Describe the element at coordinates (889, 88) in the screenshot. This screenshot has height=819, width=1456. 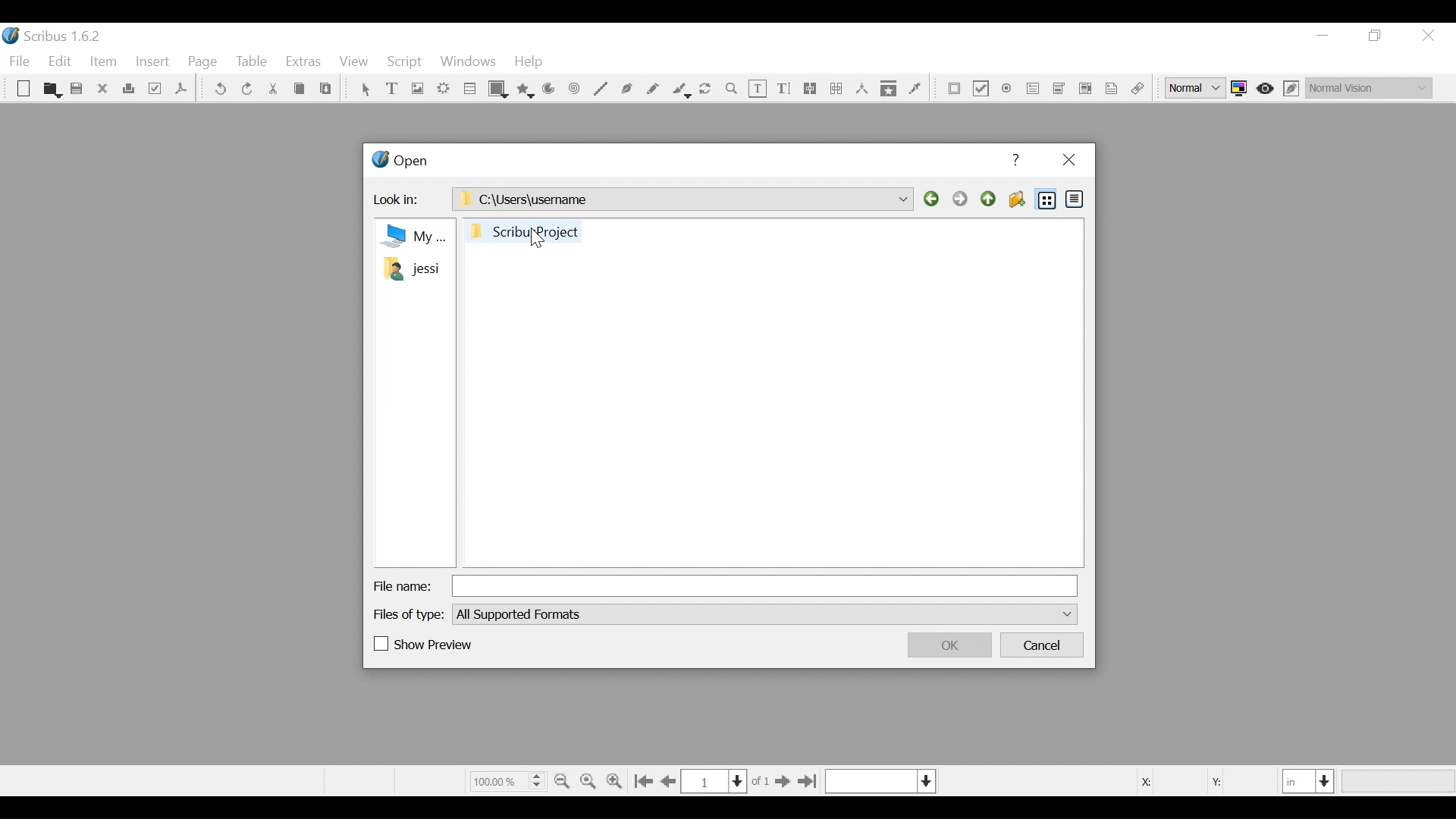
I see `Copy Item properties` at that location.